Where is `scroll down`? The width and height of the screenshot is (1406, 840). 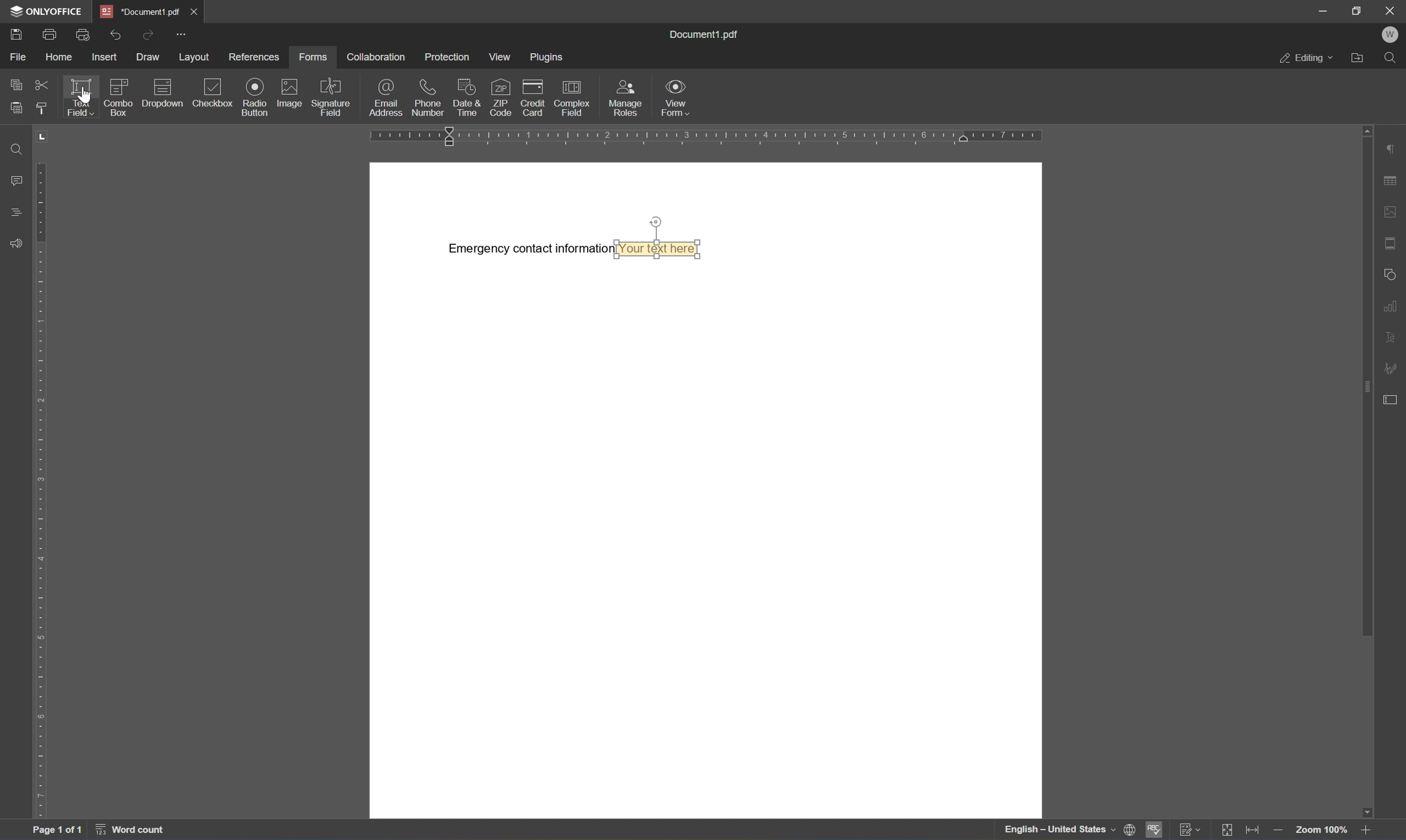 scroll down is located at coordinates (1369, 809).